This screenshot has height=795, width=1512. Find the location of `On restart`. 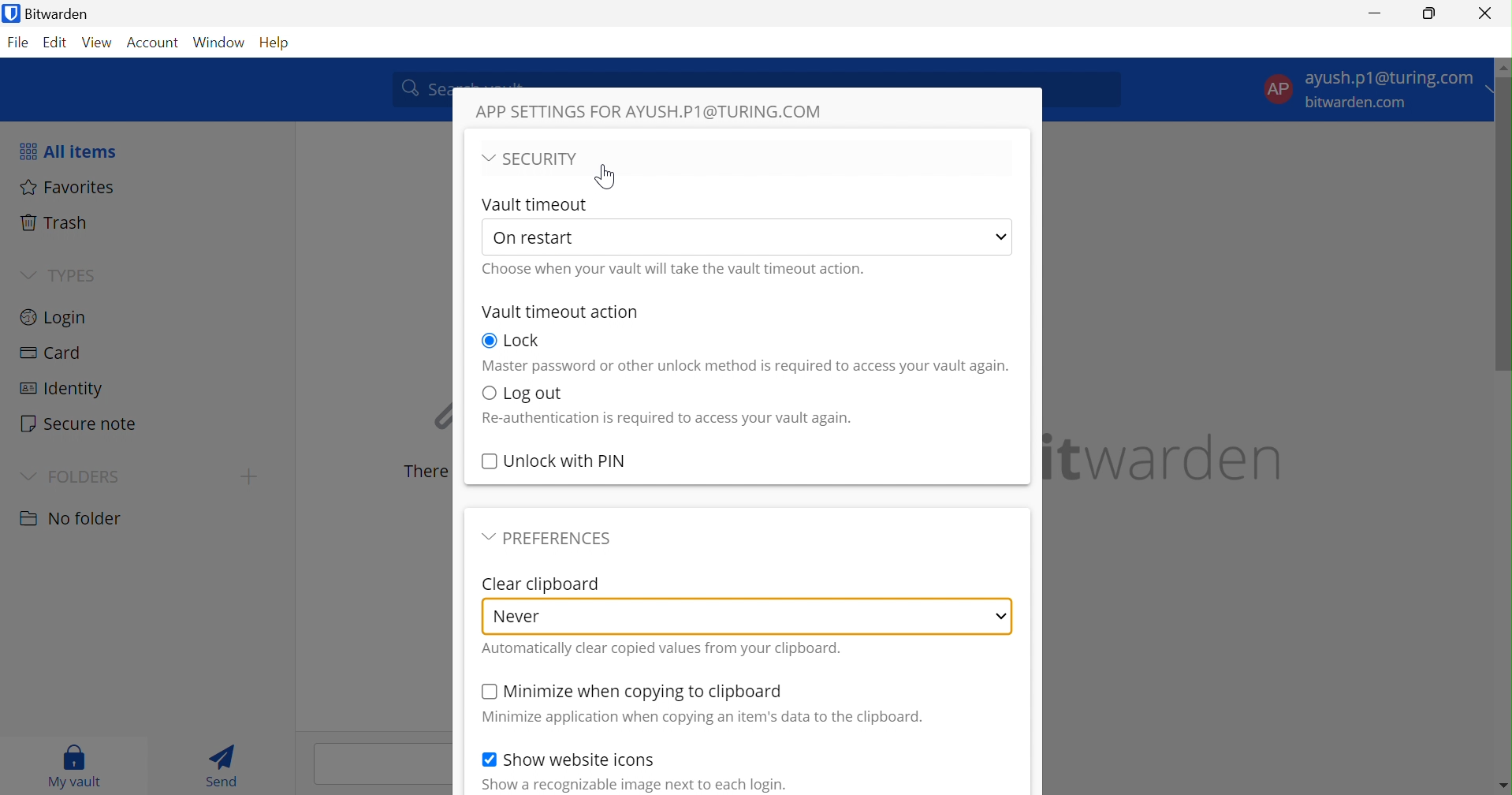

On restart is located at coordinates (541, 238).